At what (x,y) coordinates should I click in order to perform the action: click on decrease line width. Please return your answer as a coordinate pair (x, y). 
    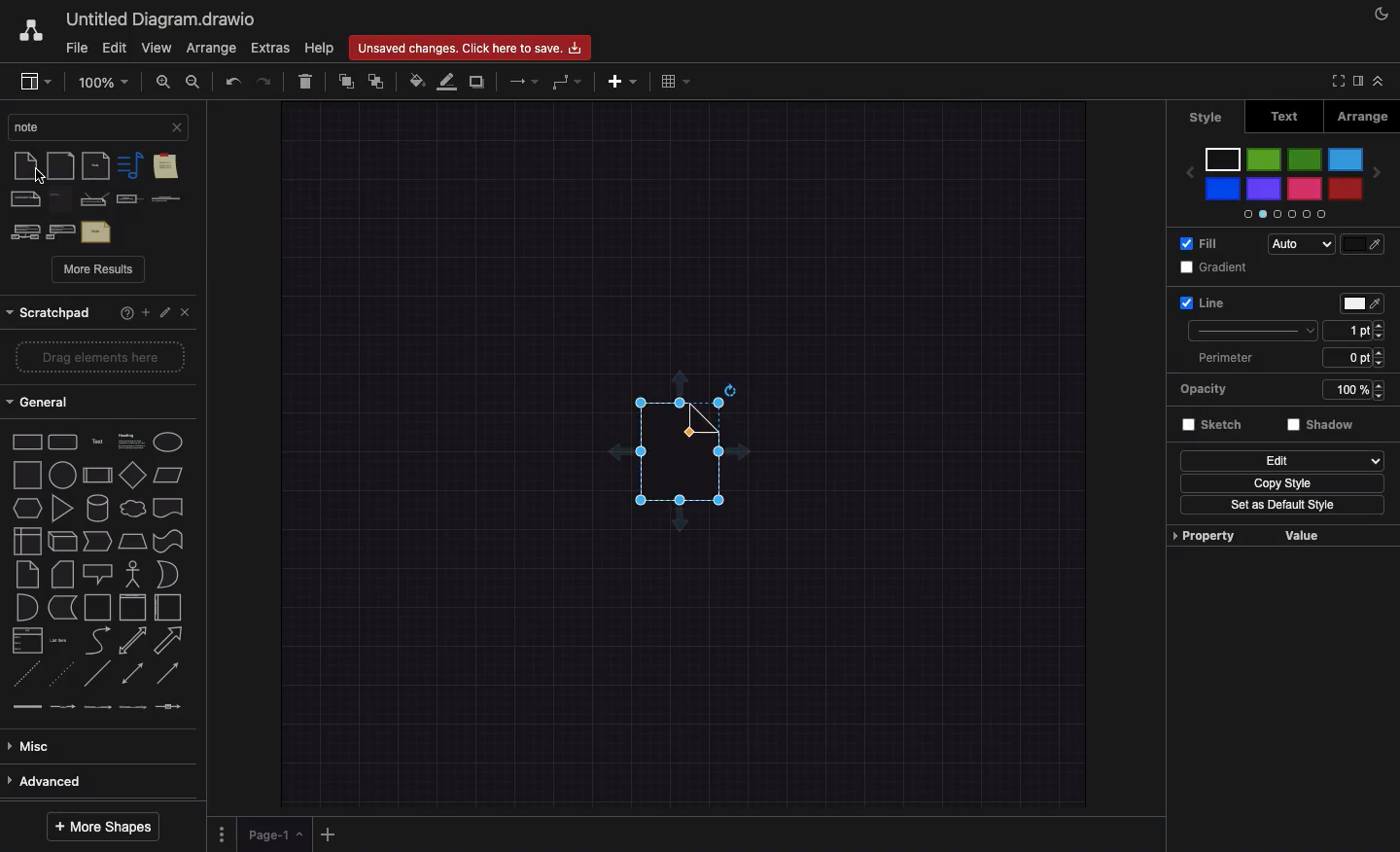
    Looking at the image, I should click on (1381, 337).